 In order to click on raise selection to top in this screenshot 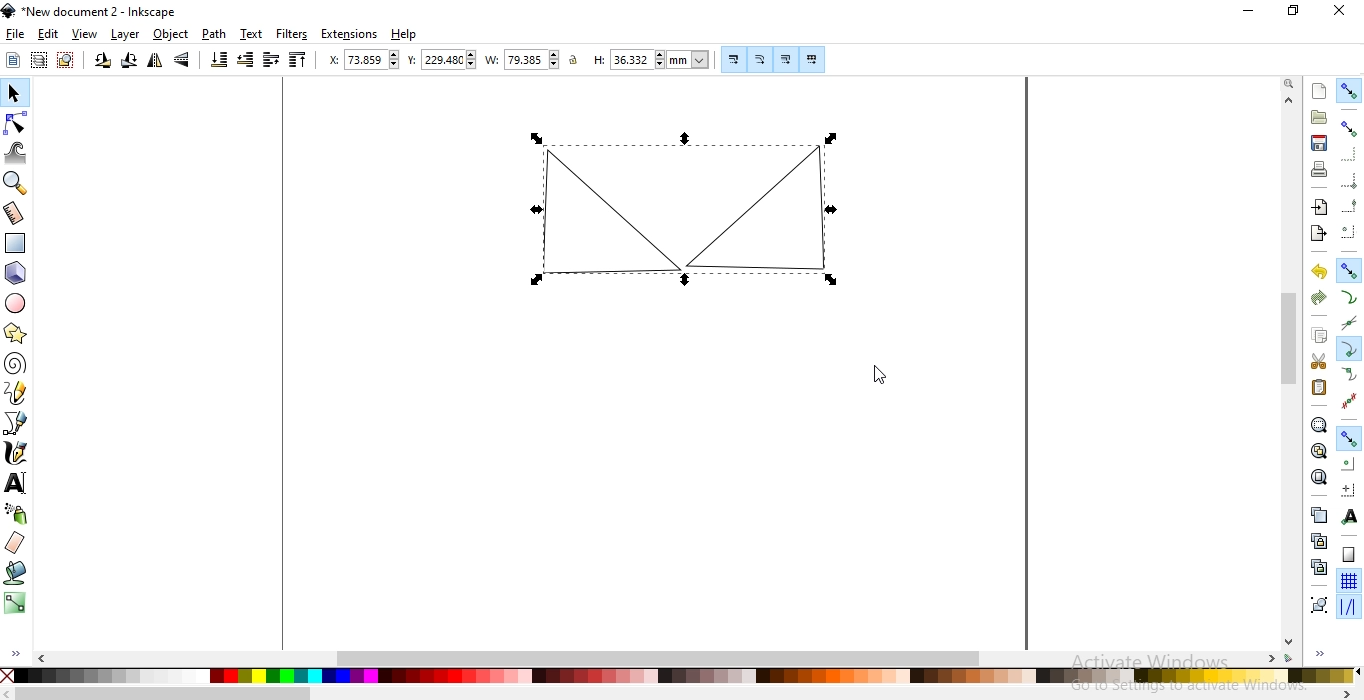, I will do `click(298, 60)`.